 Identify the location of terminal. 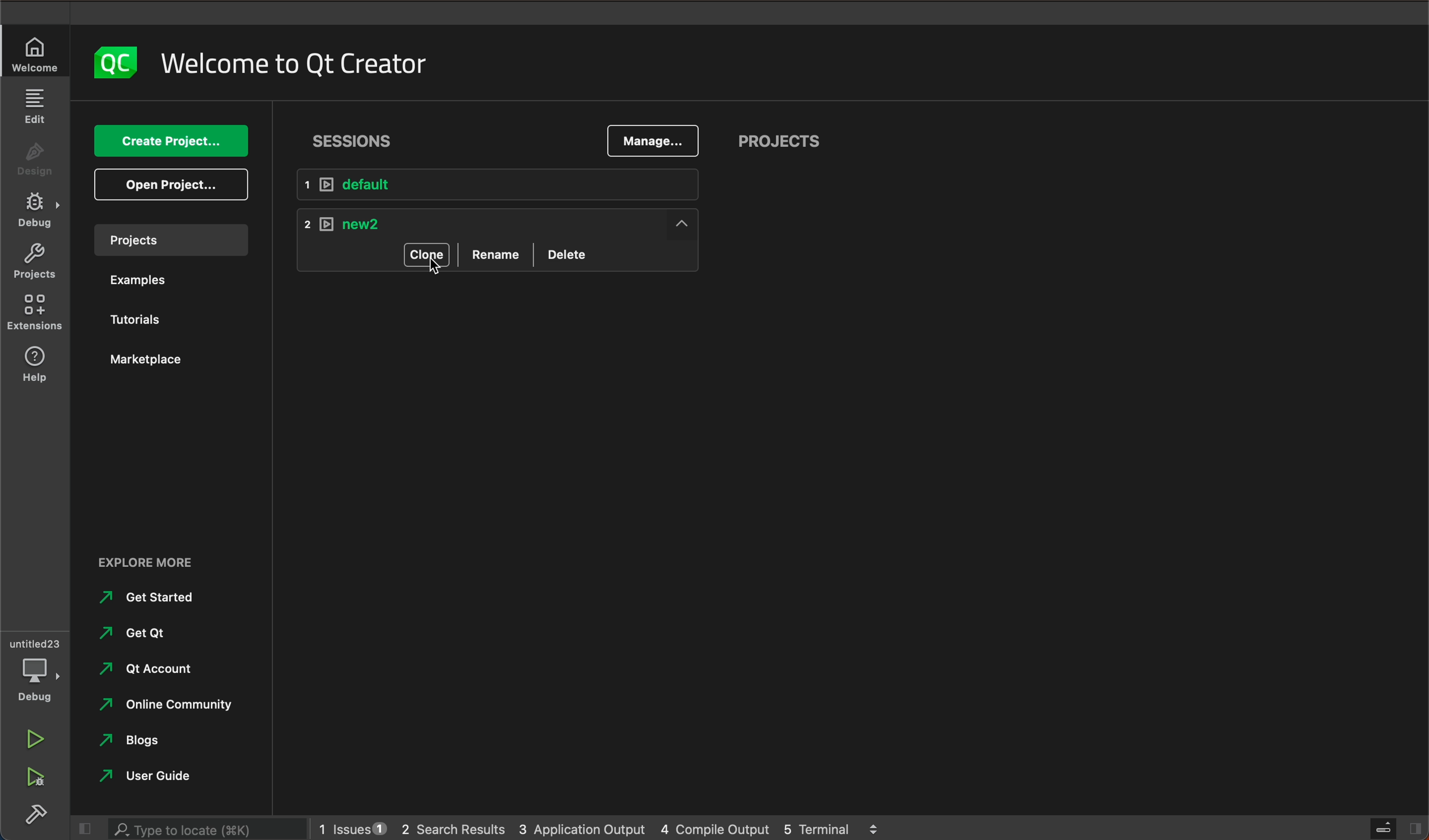
(834, 826).